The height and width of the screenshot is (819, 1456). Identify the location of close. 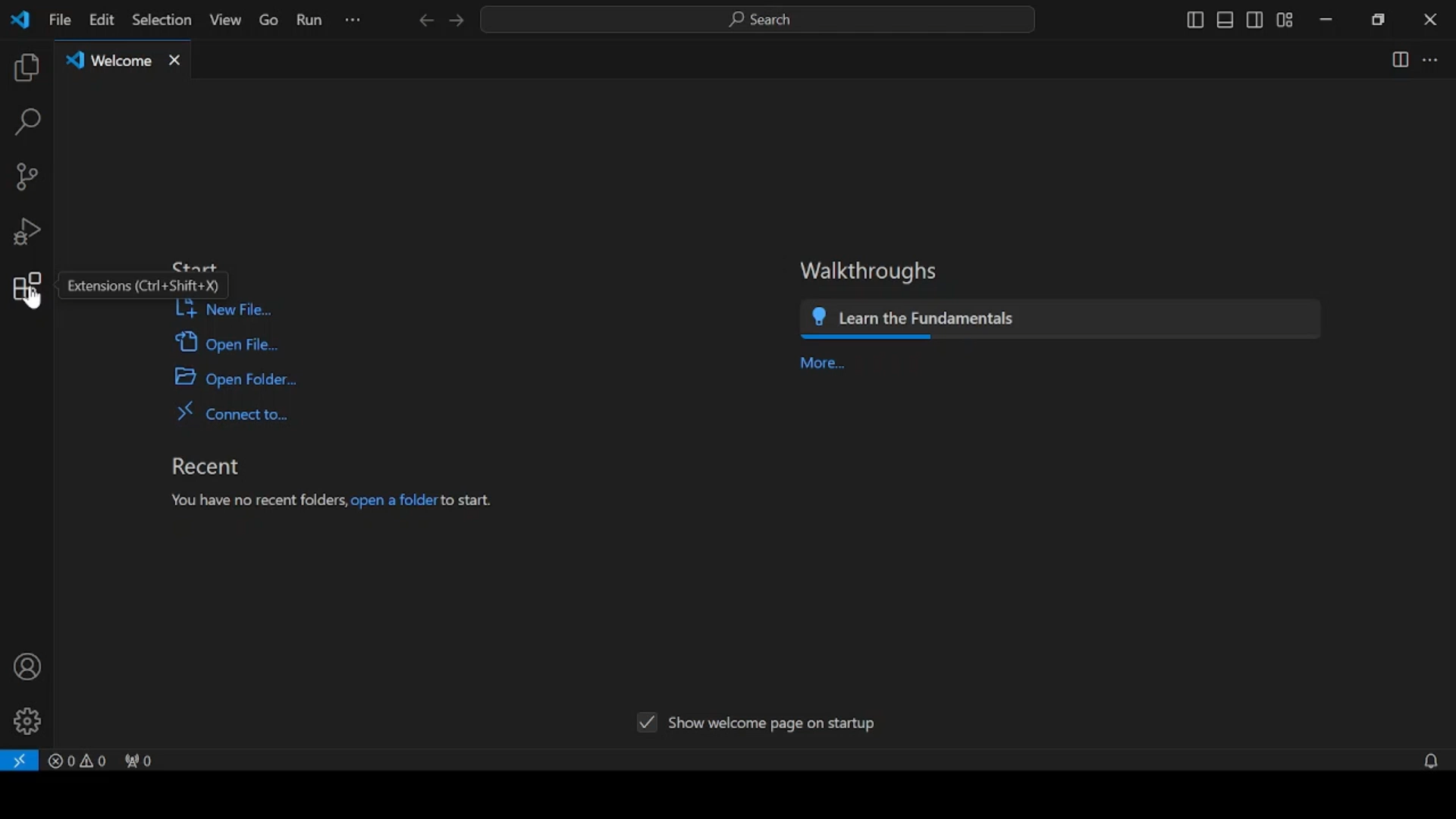
(1429, 20).